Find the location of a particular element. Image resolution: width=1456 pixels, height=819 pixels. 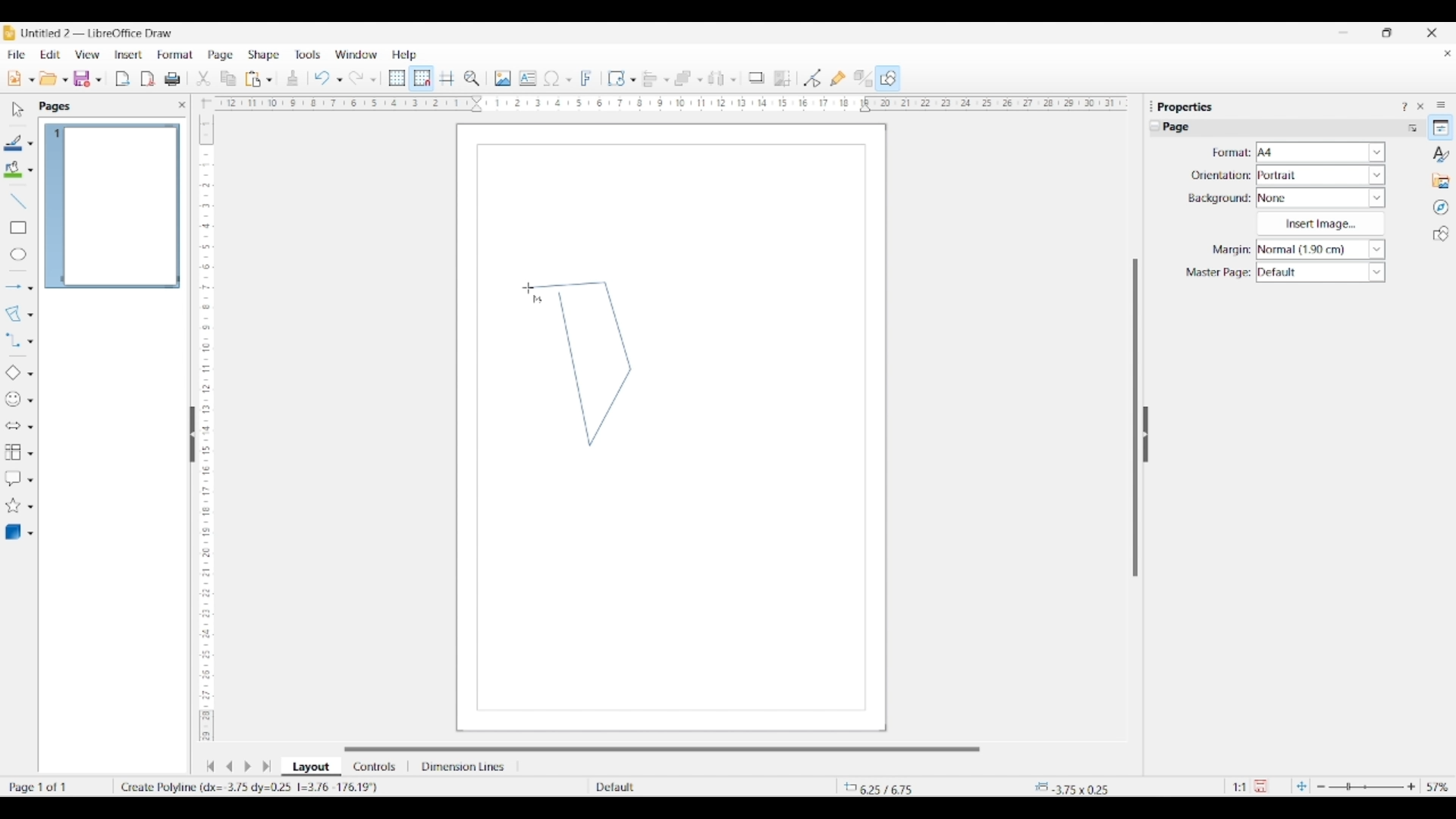

Show interface in smaller tab is located at coordinates (1386, 33).